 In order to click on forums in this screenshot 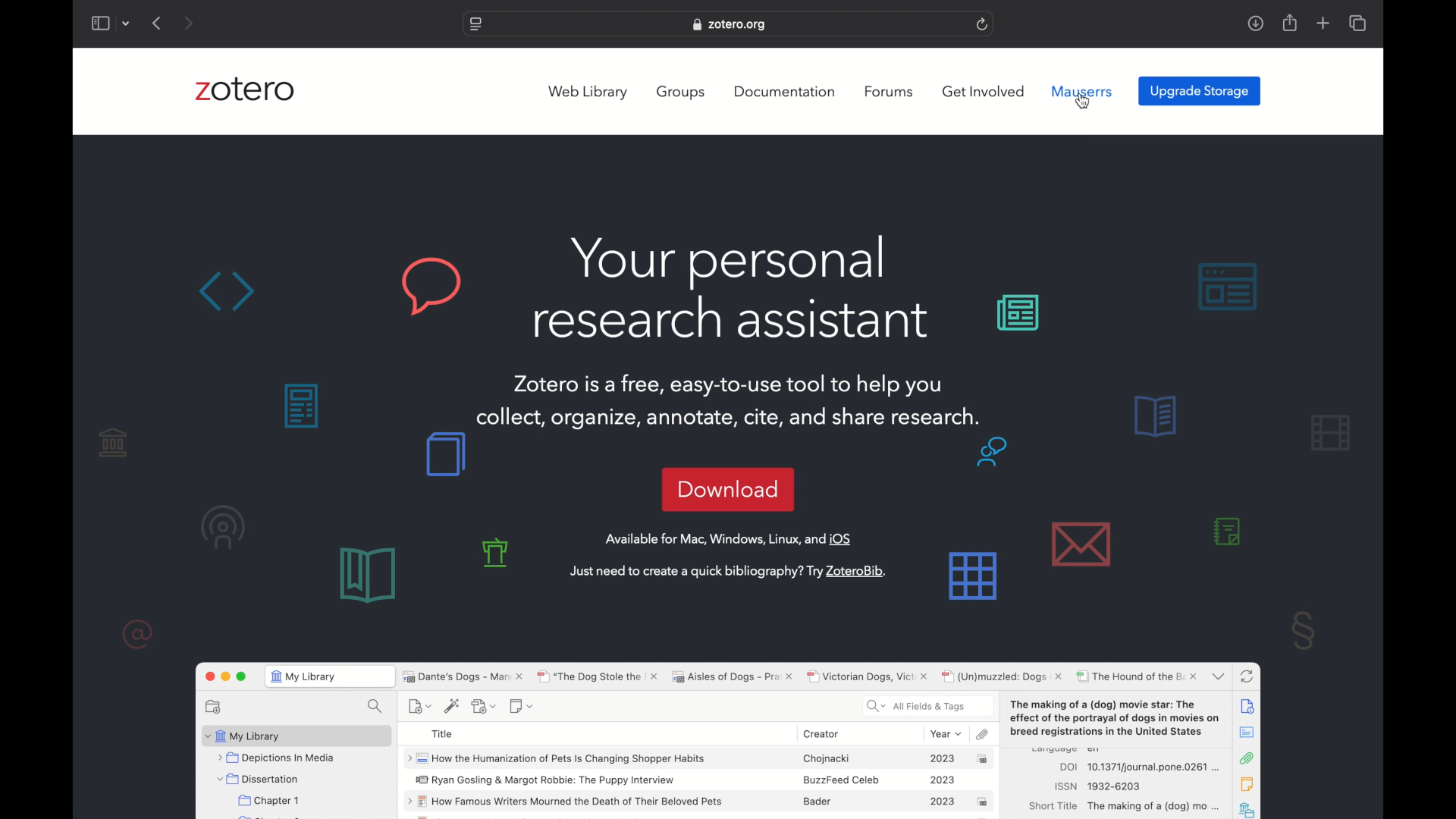, I will do `click(890, 92)`.